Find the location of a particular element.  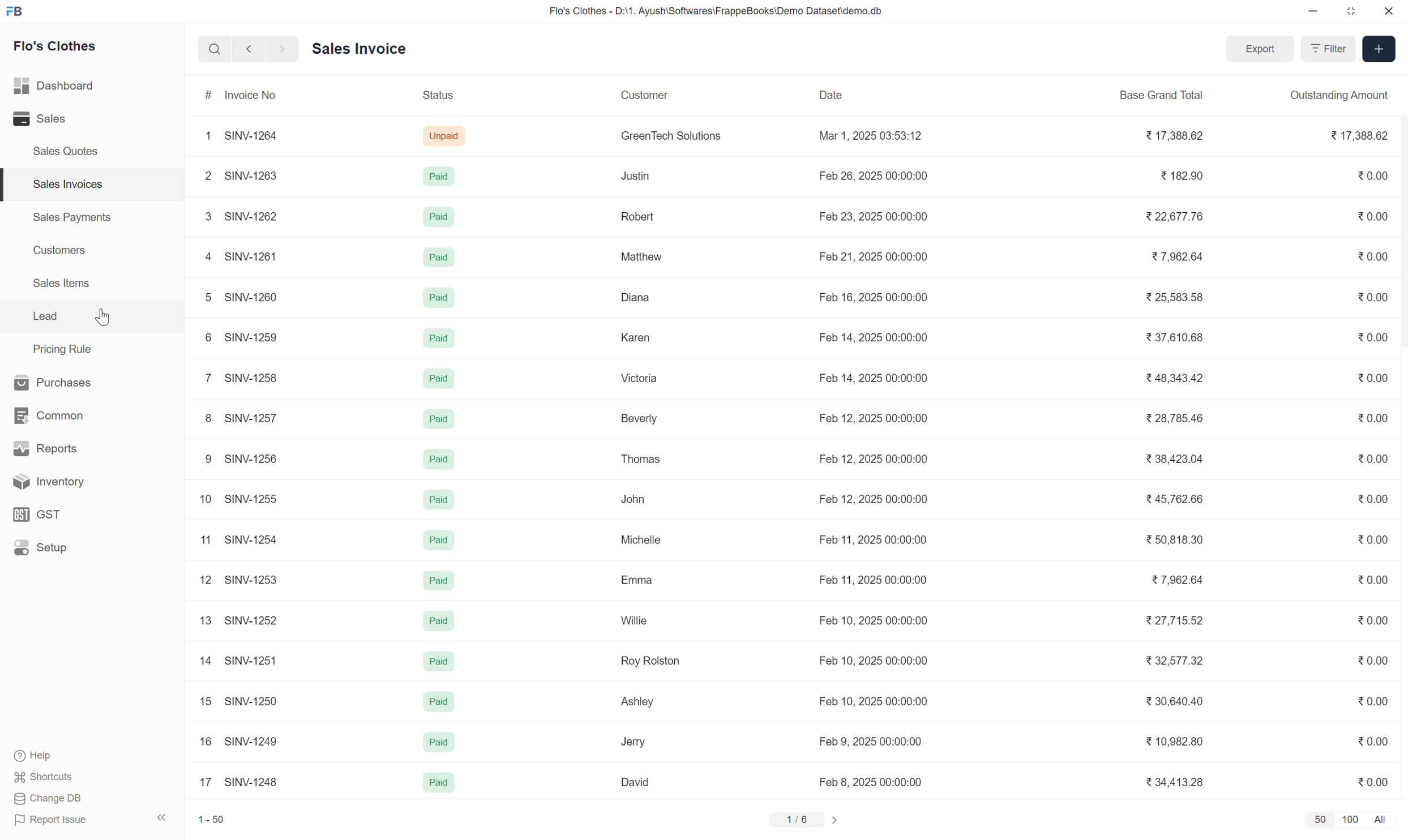

328,785.46 is located at coordinates (1173, 419).